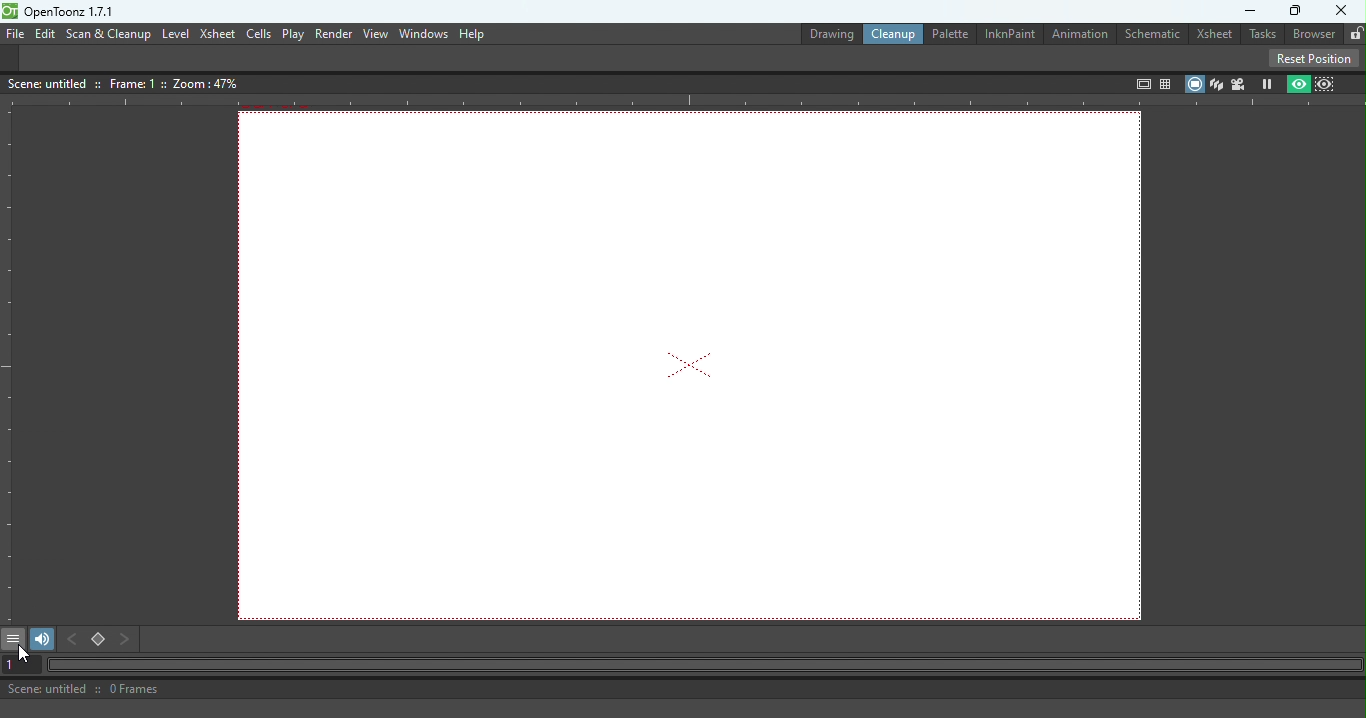 This screenshot has width=1366, height=718. What do you see at coordinates (948, 33) in the screenshot?
I see `Palette` at bounding box center [948, 33].